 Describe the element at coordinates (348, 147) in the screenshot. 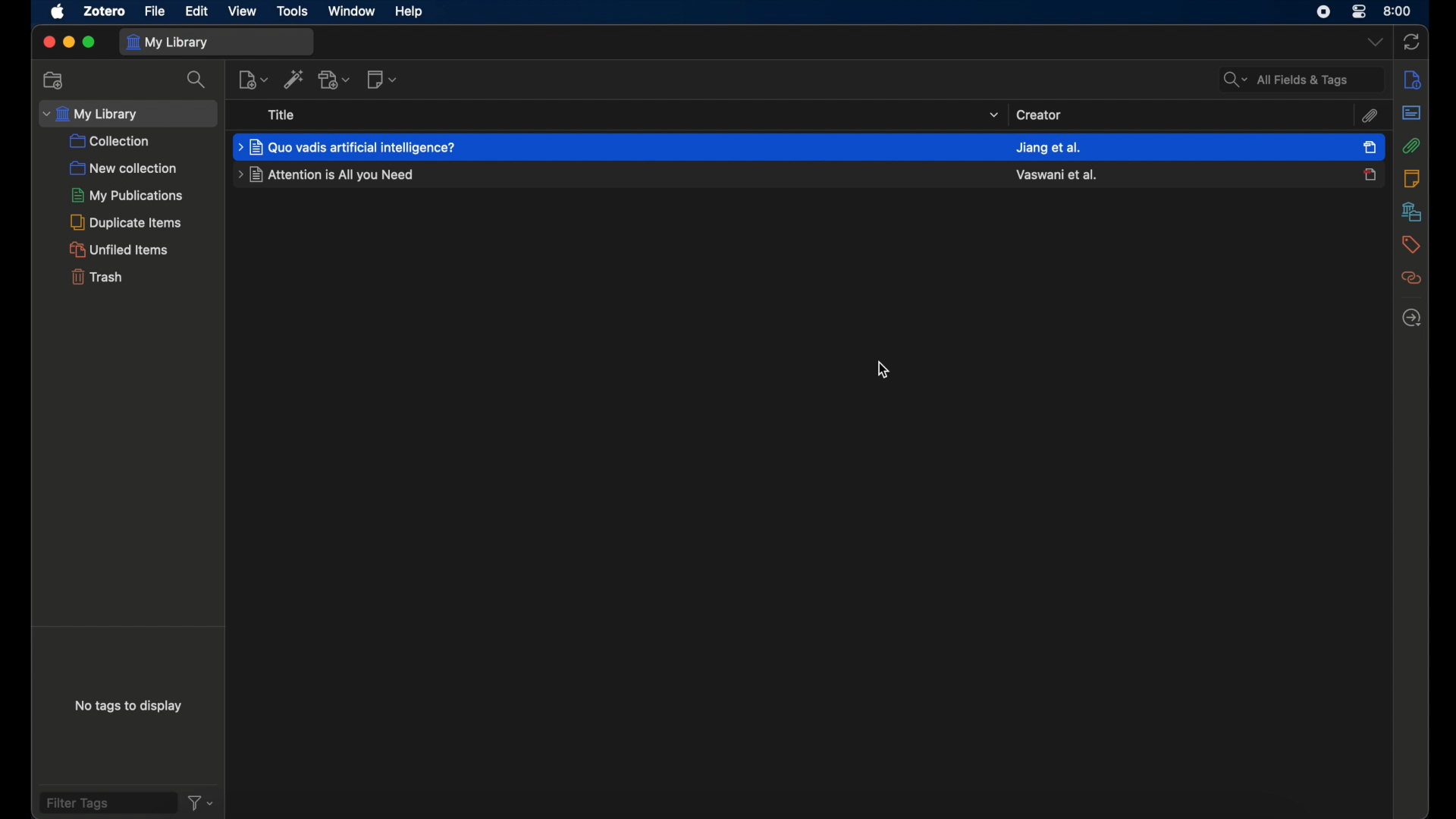

I see `item name highlighted` at that location.